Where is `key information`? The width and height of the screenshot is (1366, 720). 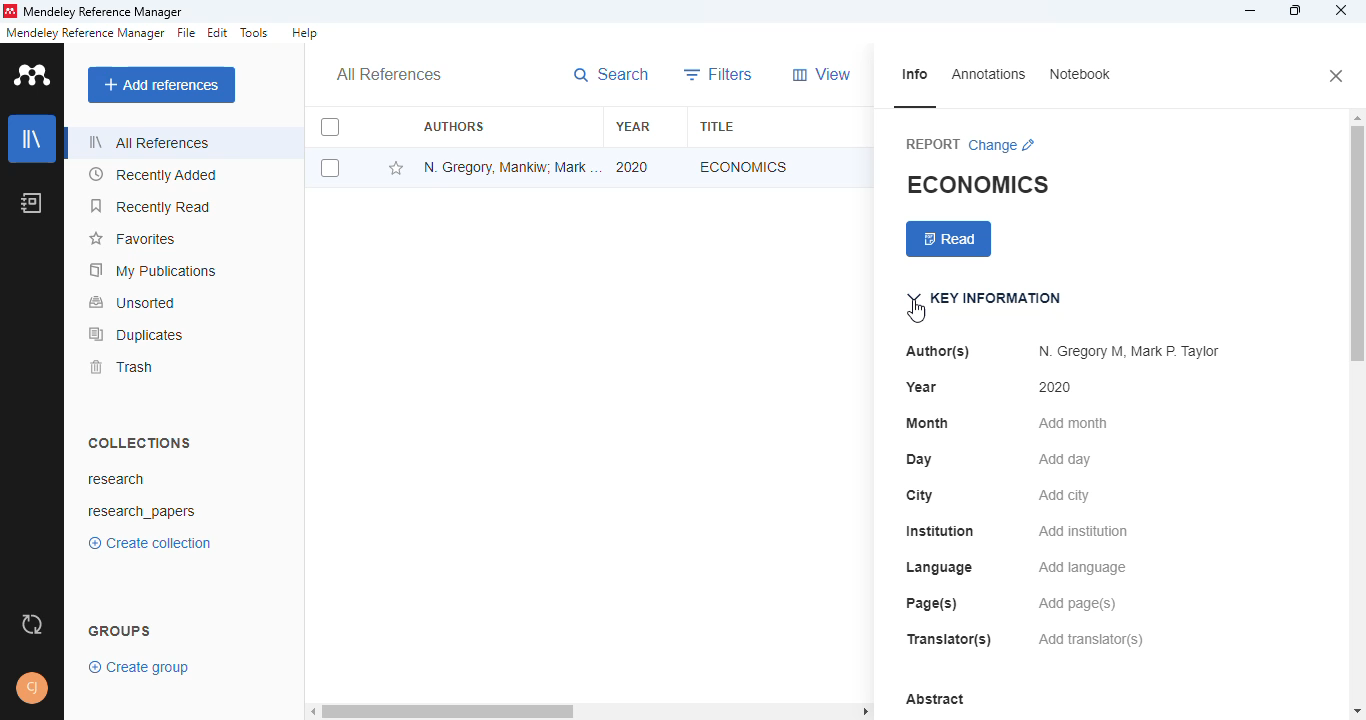 key information is located at coordinates (984, 297).